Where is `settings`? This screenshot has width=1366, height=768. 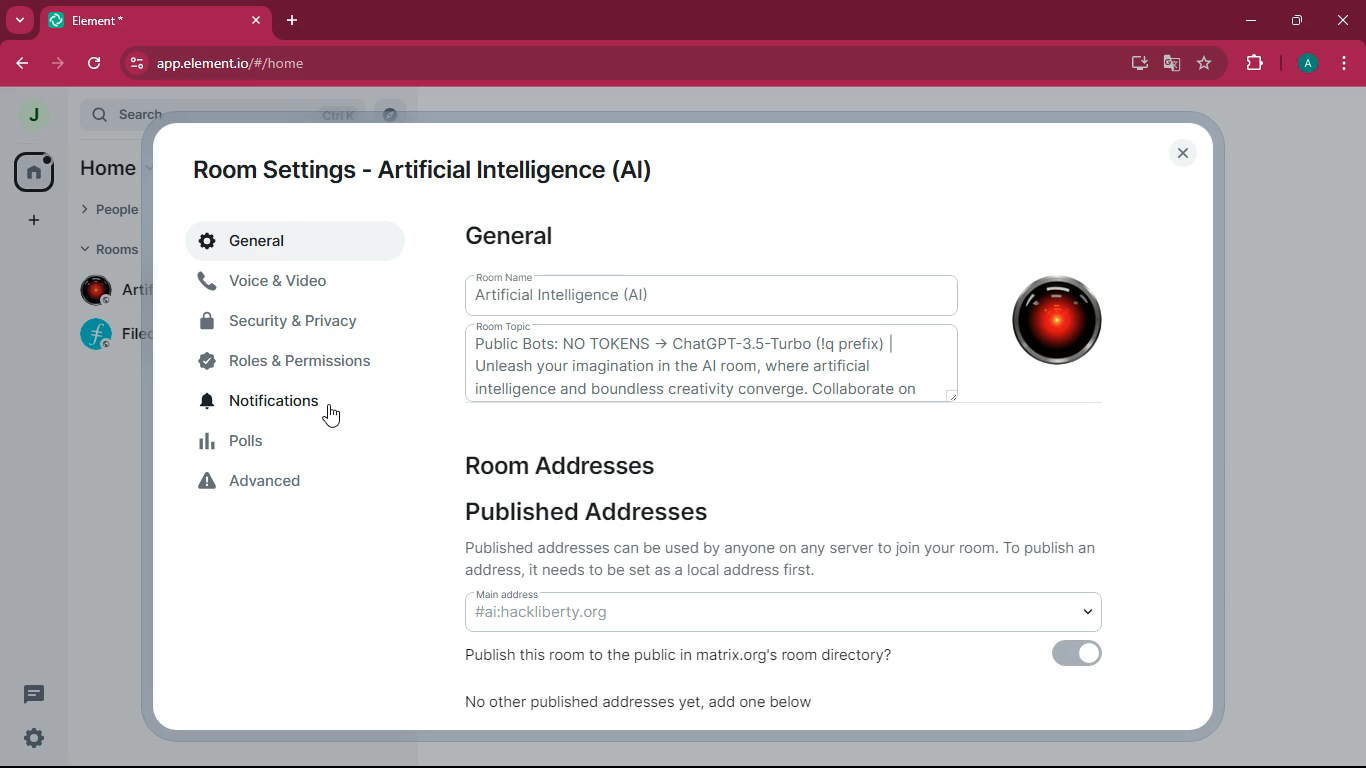 settings is located at coordinates (36, 740).